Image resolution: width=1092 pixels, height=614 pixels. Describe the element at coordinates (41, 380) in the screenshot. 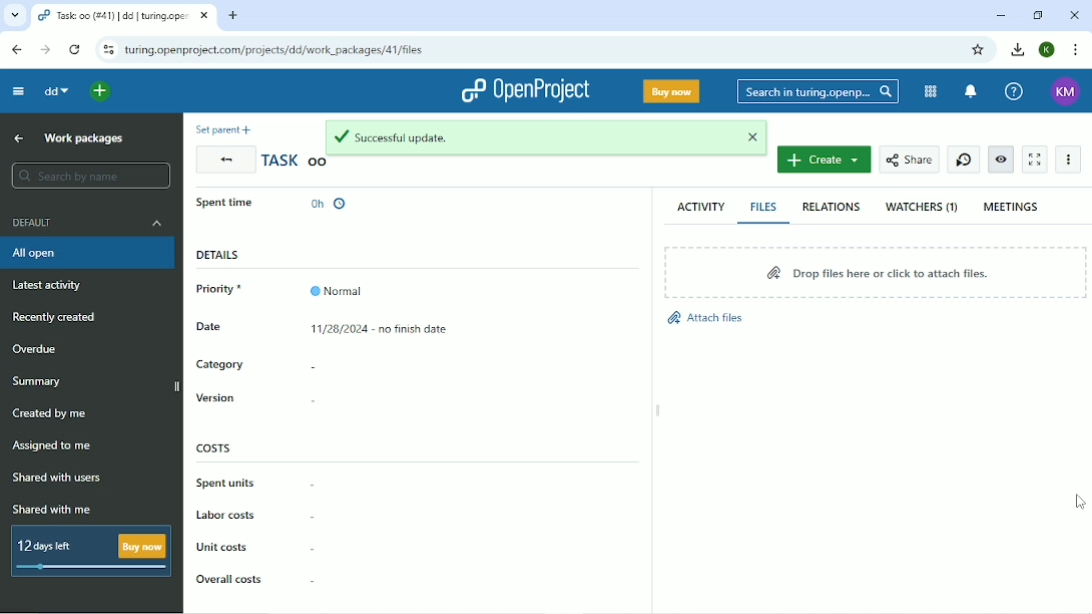

I see `Summary` at that location.